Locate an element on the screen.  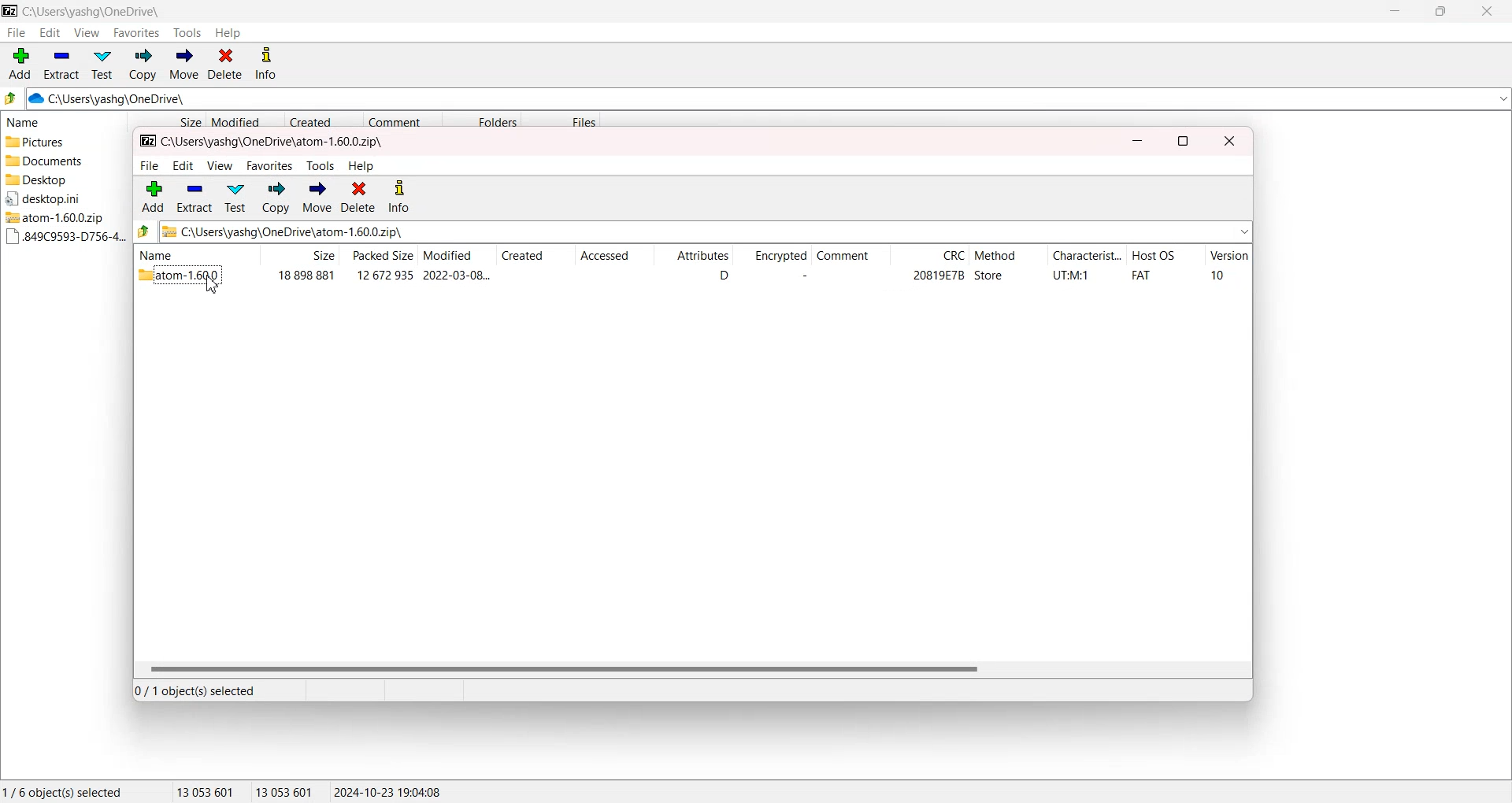
Delete is located at coordinates (225, 65).